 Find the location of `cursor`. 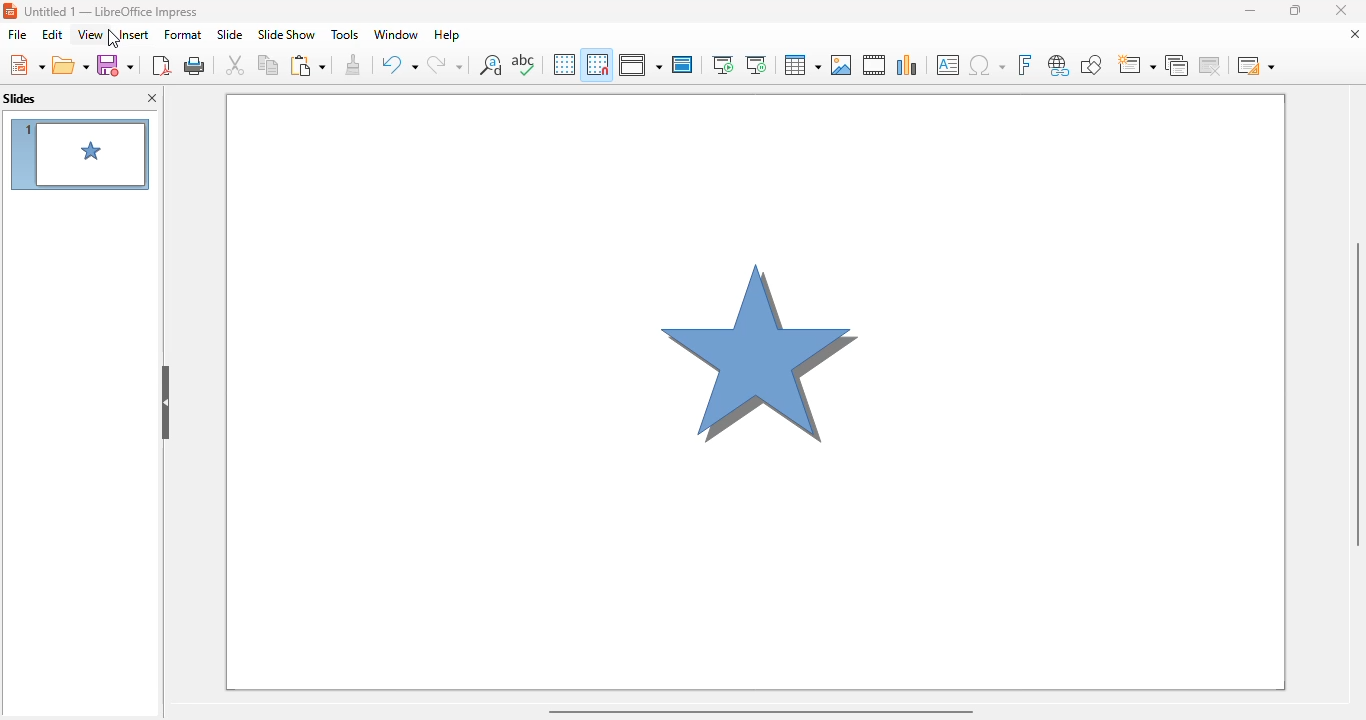

cursor is located at coordinates (109, 37).